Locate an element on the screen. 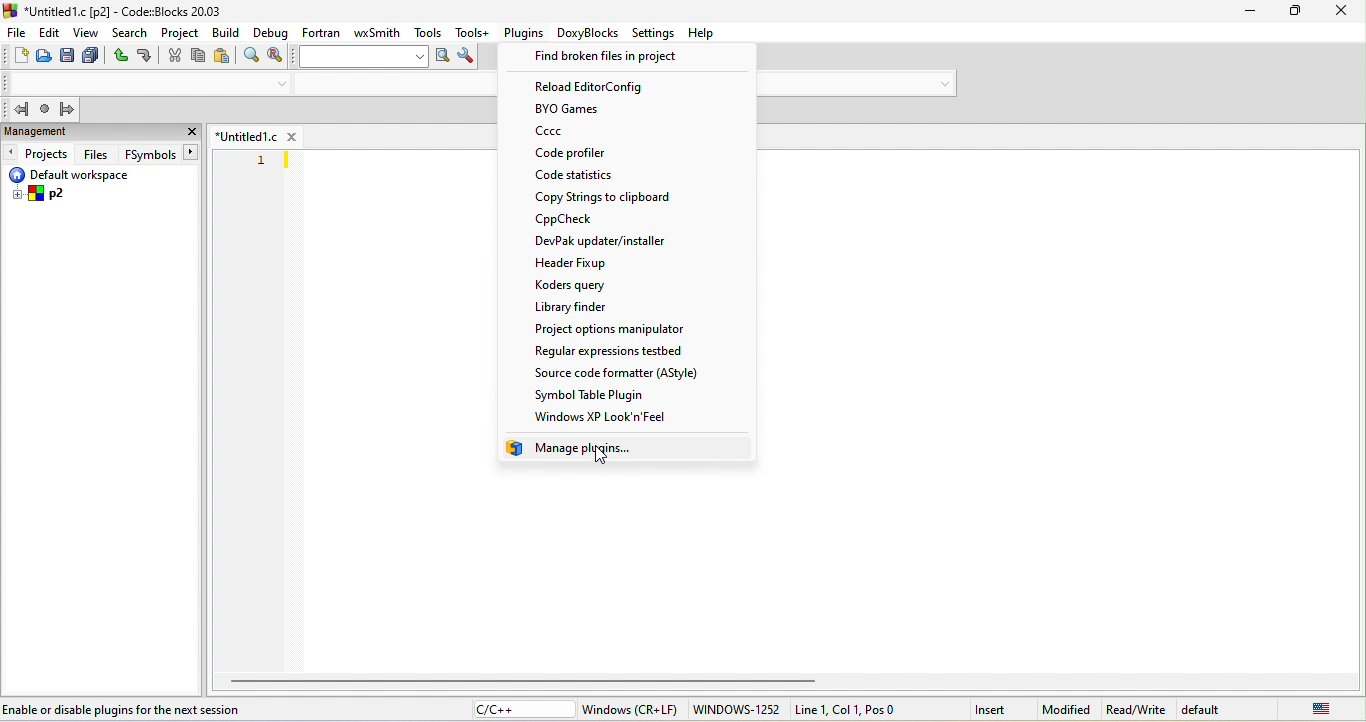 The width and height of the screenshot is (1366, 722). insert is located at coordinates (992, 709).